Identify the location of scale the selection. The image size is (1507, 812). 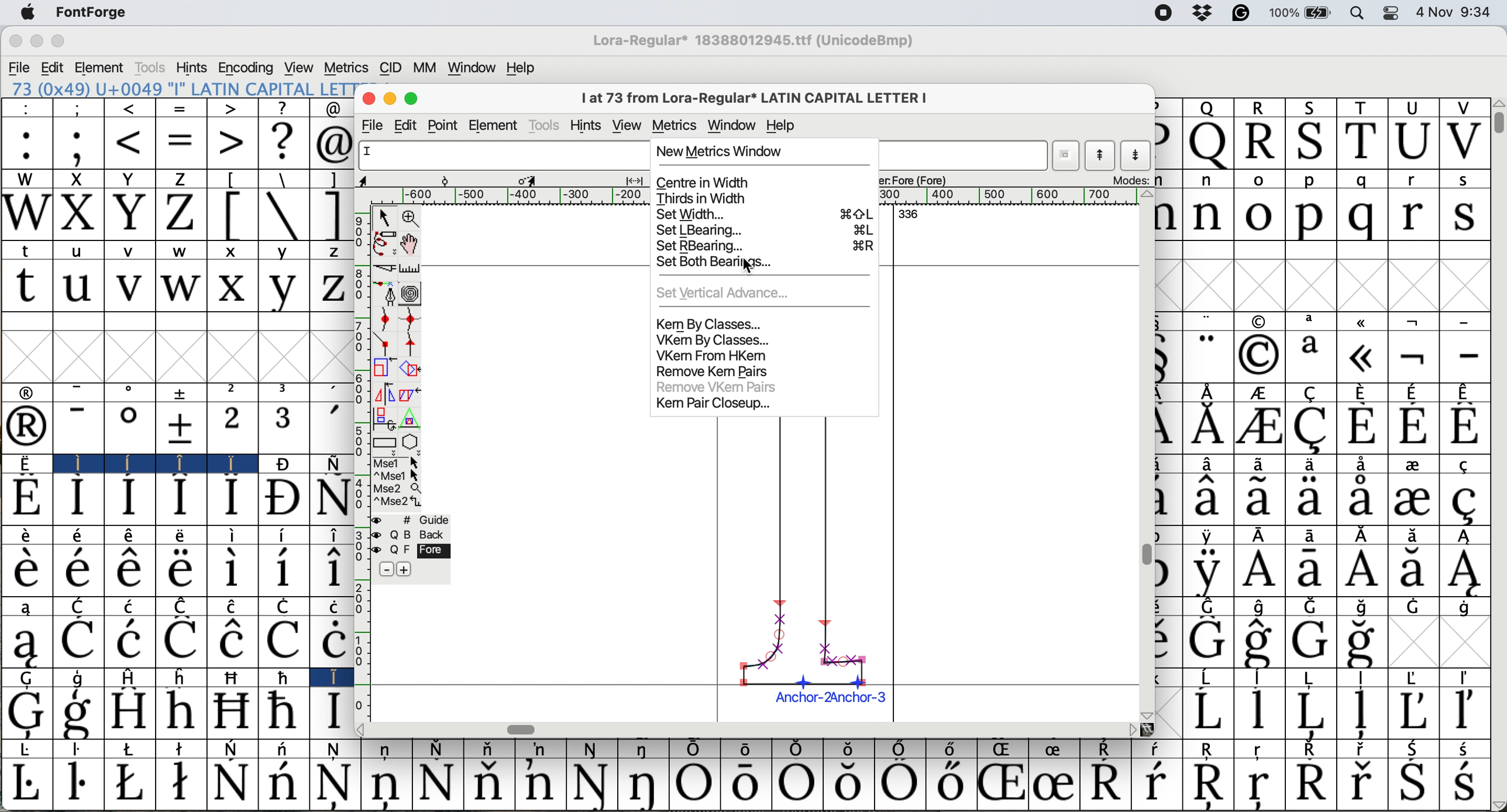
(380, 368).